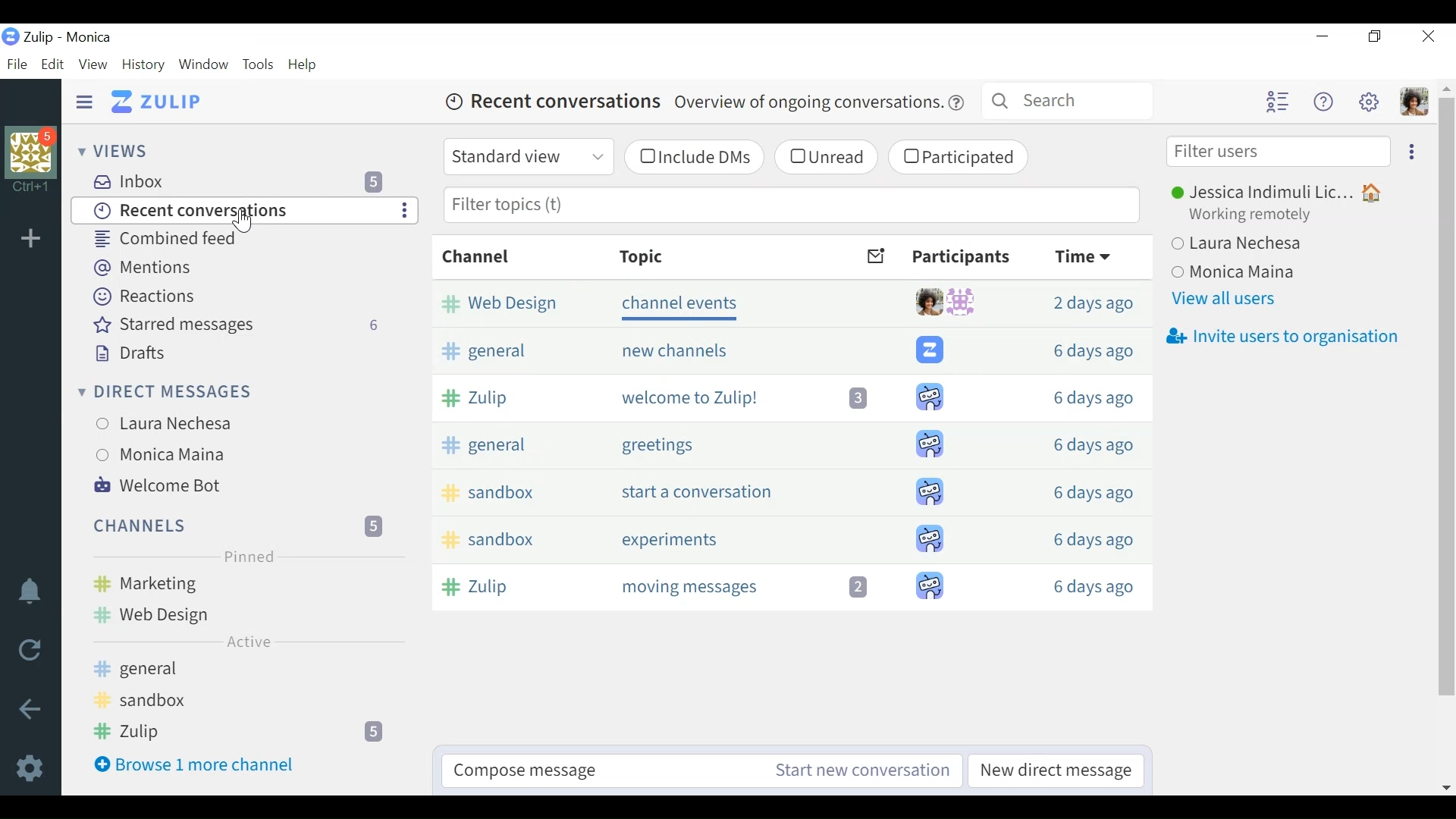 Image resolution: width=1456 pixels, height=819 pixels. Describe the element at coordinates (235, 670) in the screenshot. I see `general` at that location.